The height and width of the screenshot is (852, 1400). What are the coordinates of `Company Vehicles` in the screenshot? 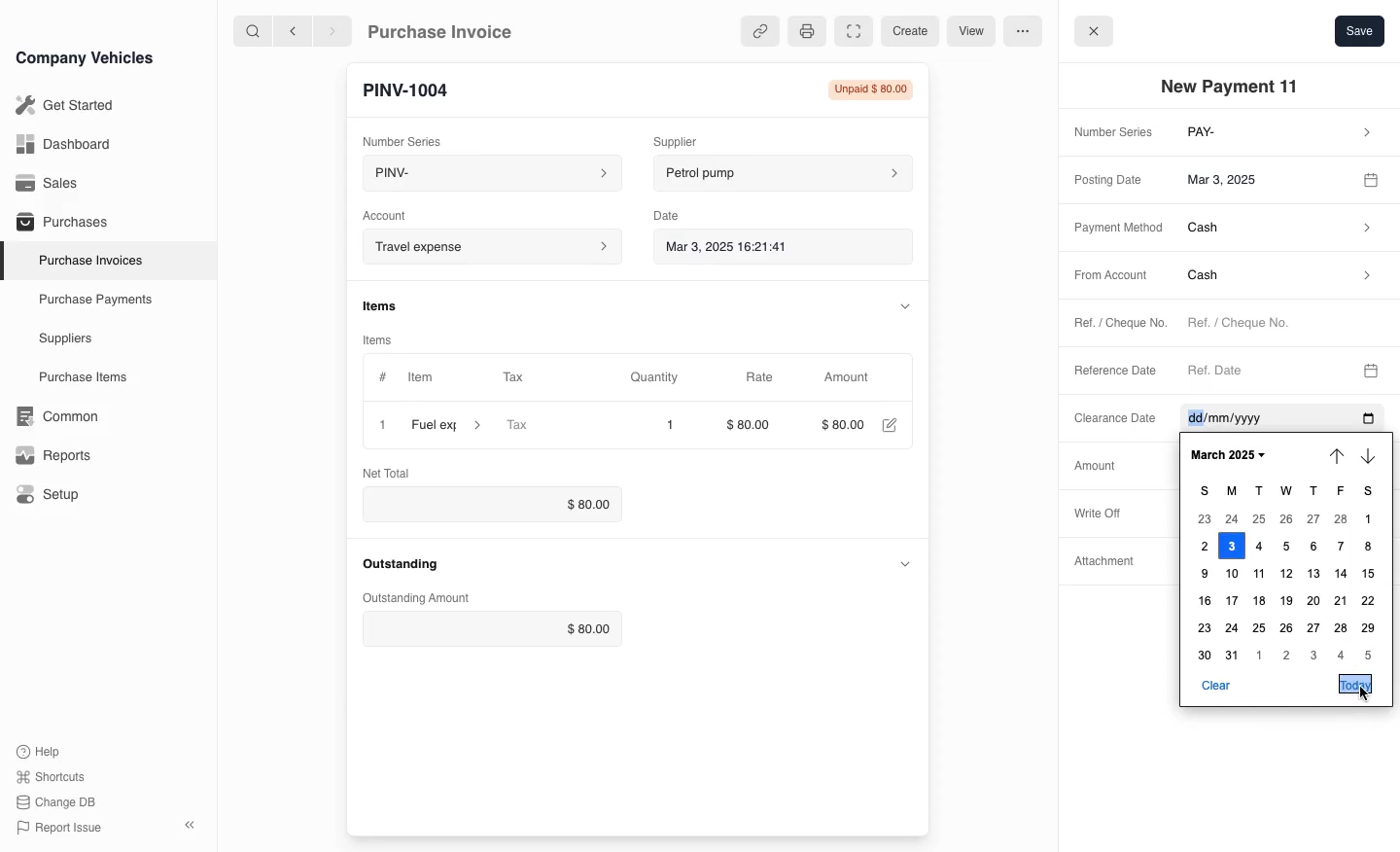 It's located at (85, 57).